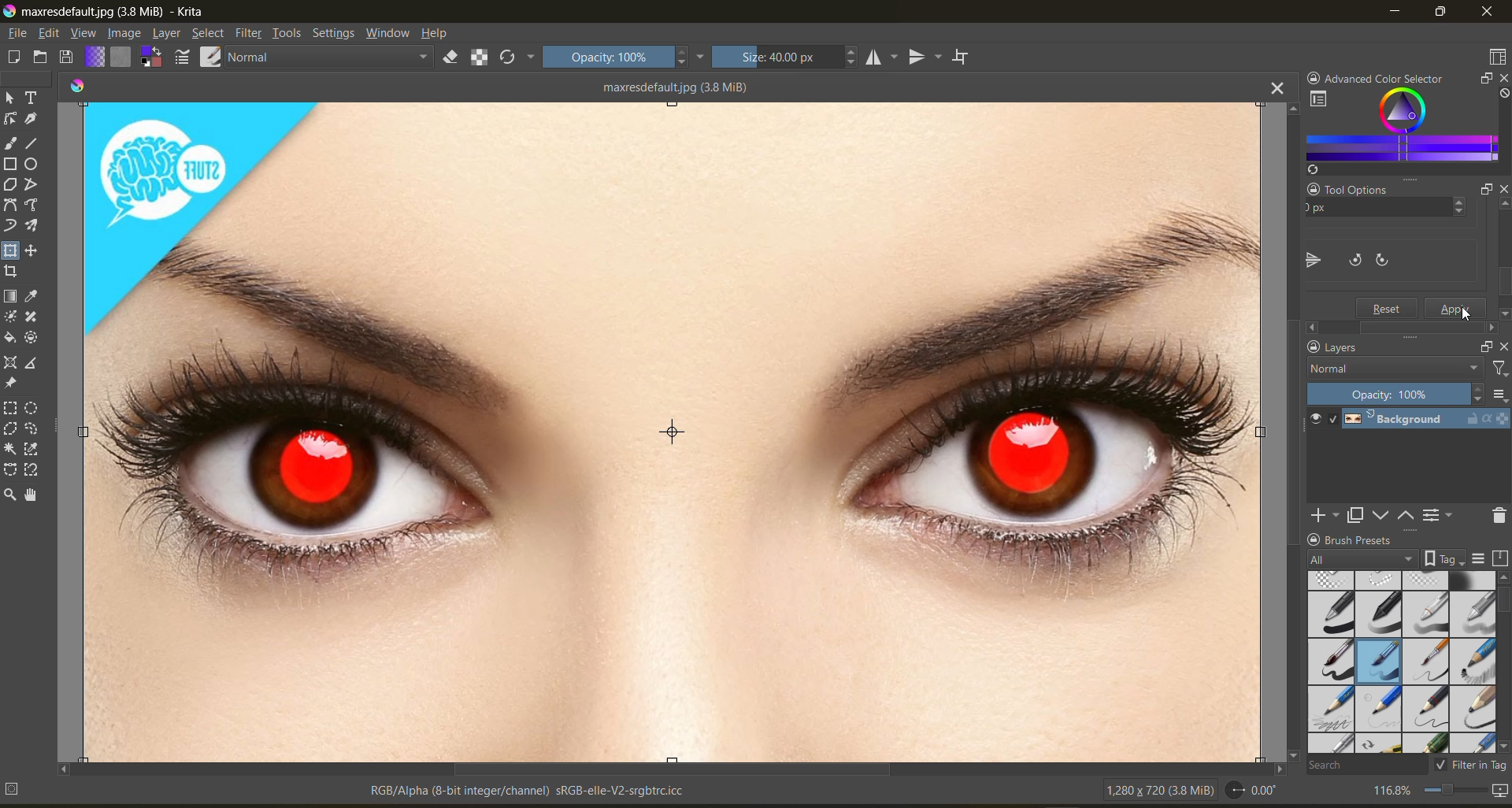  What do you see at coordinates (336, 35) in the screenshot?
I see `settings` at bounding box center [336, 35].